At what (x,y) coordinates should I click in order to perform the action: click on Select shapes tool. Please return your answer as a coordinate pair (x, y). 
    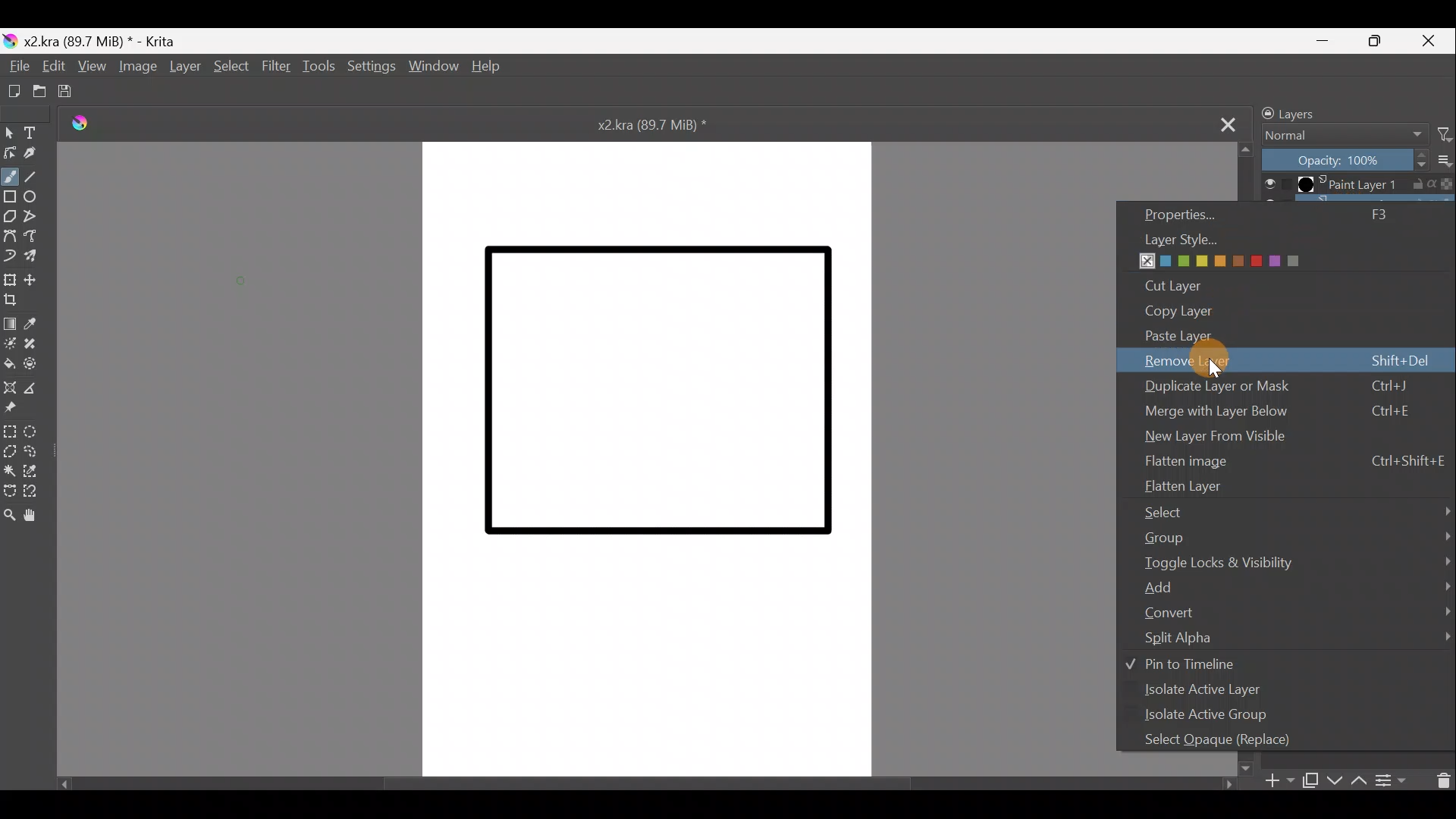
    Looking at the image, I should click on (9, 132).